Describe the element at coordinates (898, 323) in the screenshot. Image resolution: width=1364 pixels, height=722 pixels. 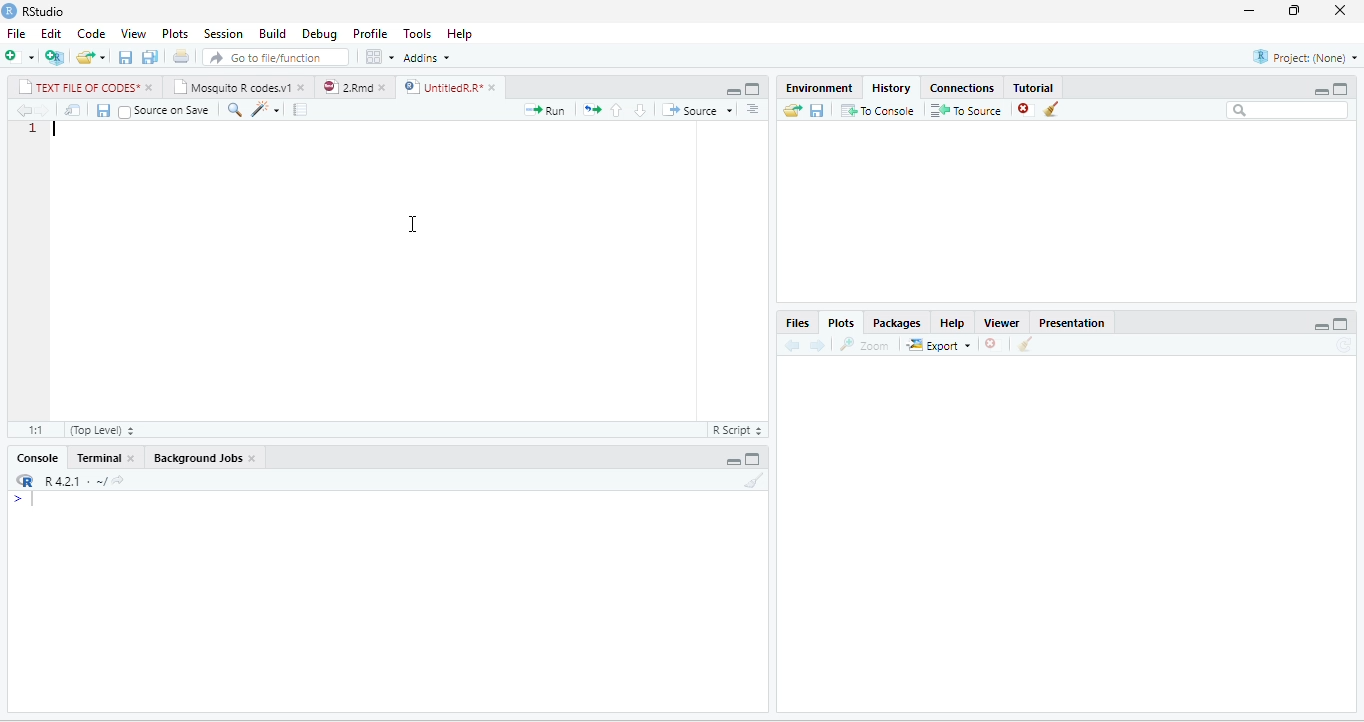
I see `Packages` at that location.